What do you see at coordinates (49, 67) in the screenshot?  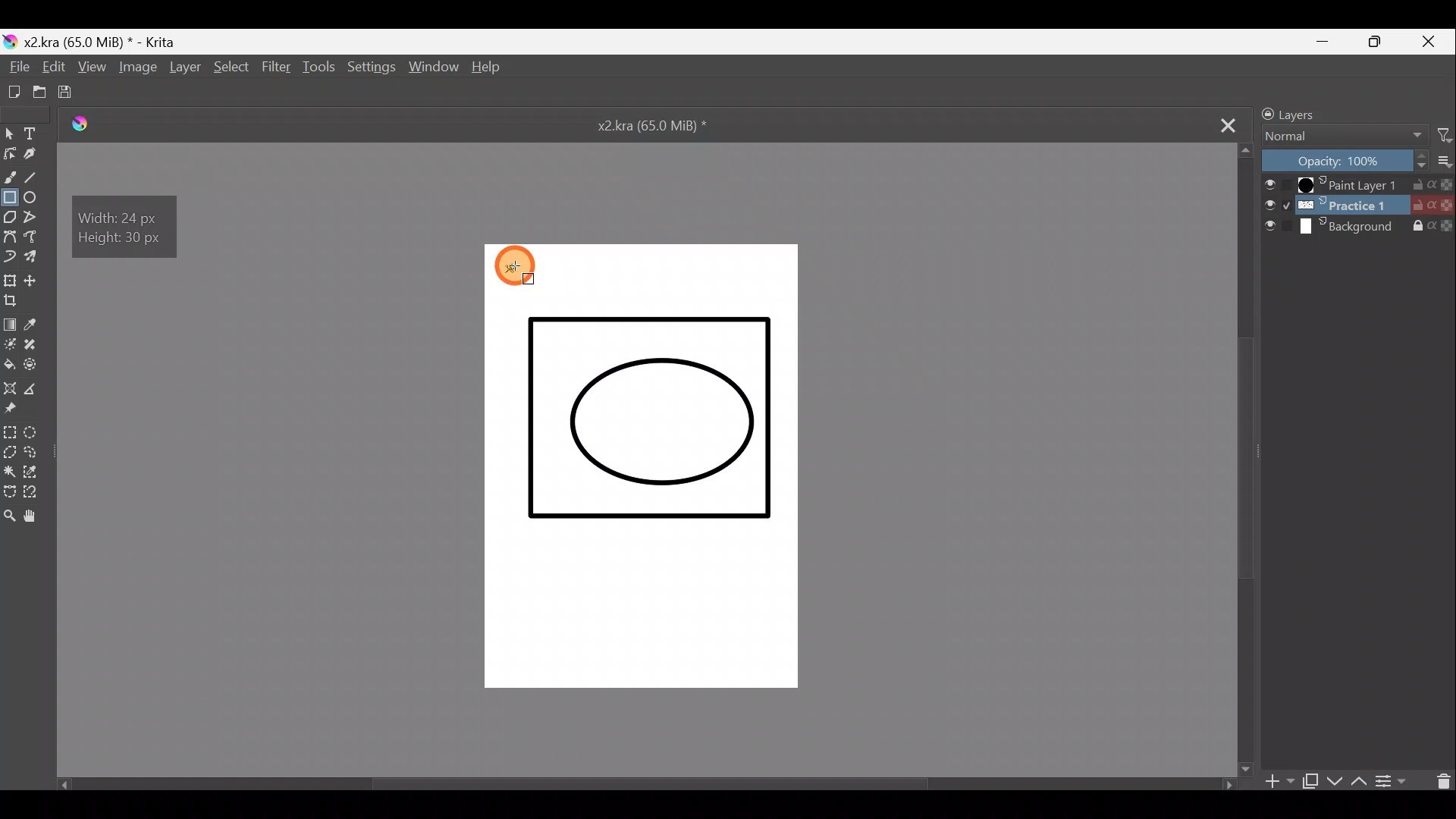 I see `Edit` at bounding box center [49, 67].